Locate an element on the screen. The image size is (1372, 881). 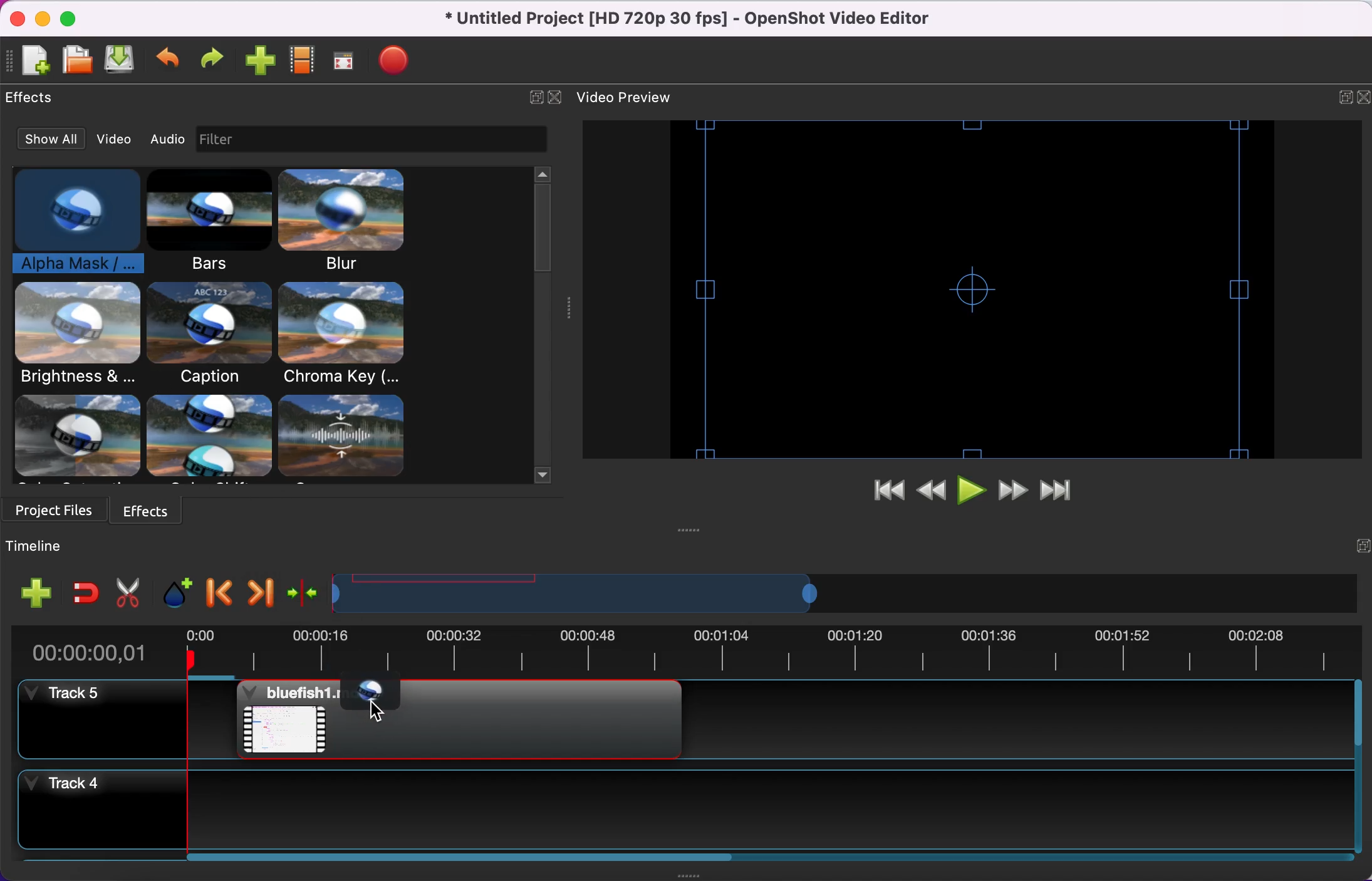
timeline is located at coordinates (61, 548).